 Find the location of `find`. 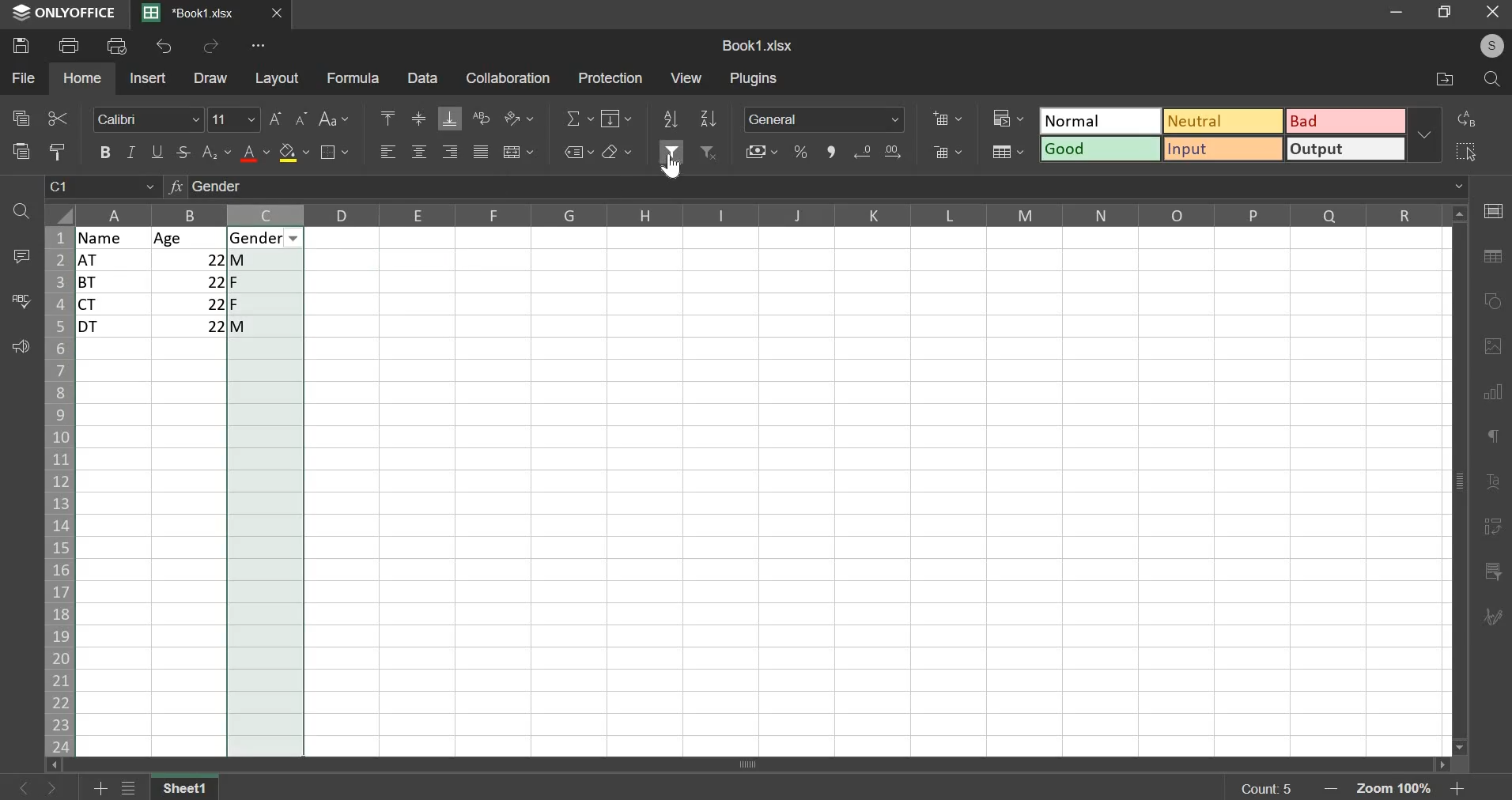

find is located at coordinates (1491, 80).